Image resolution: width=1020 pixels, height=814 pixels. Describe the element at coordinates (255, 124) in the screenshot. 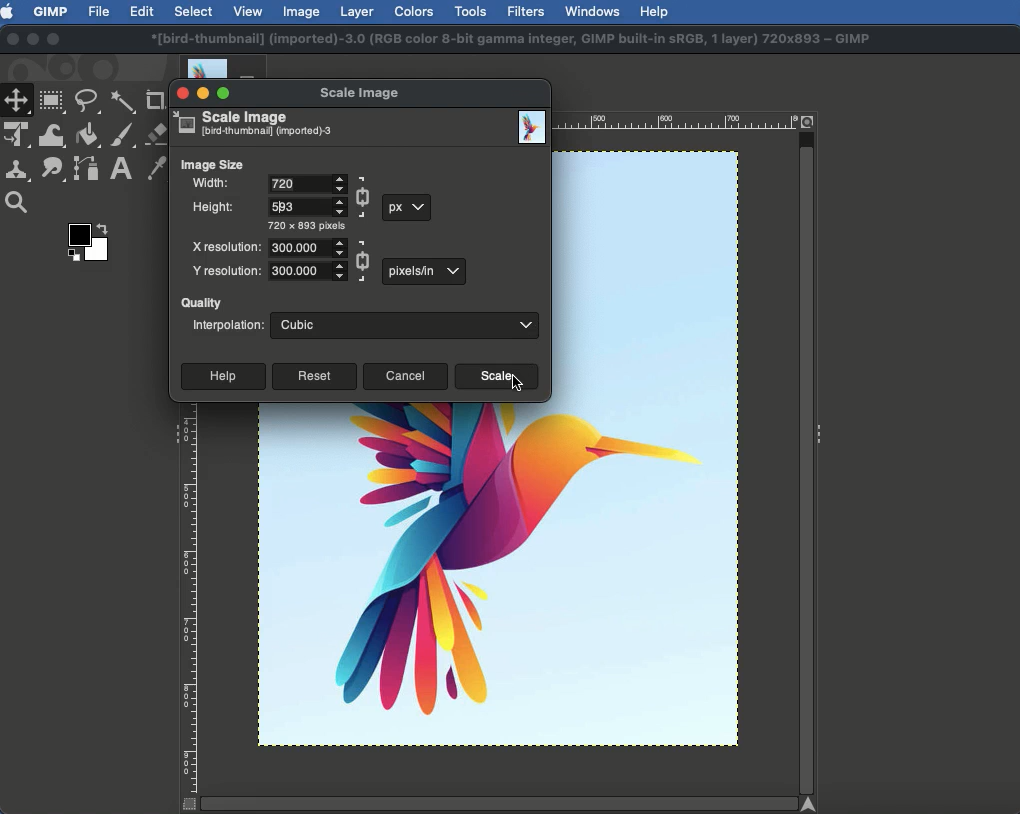

I see `Scale image` at that location.